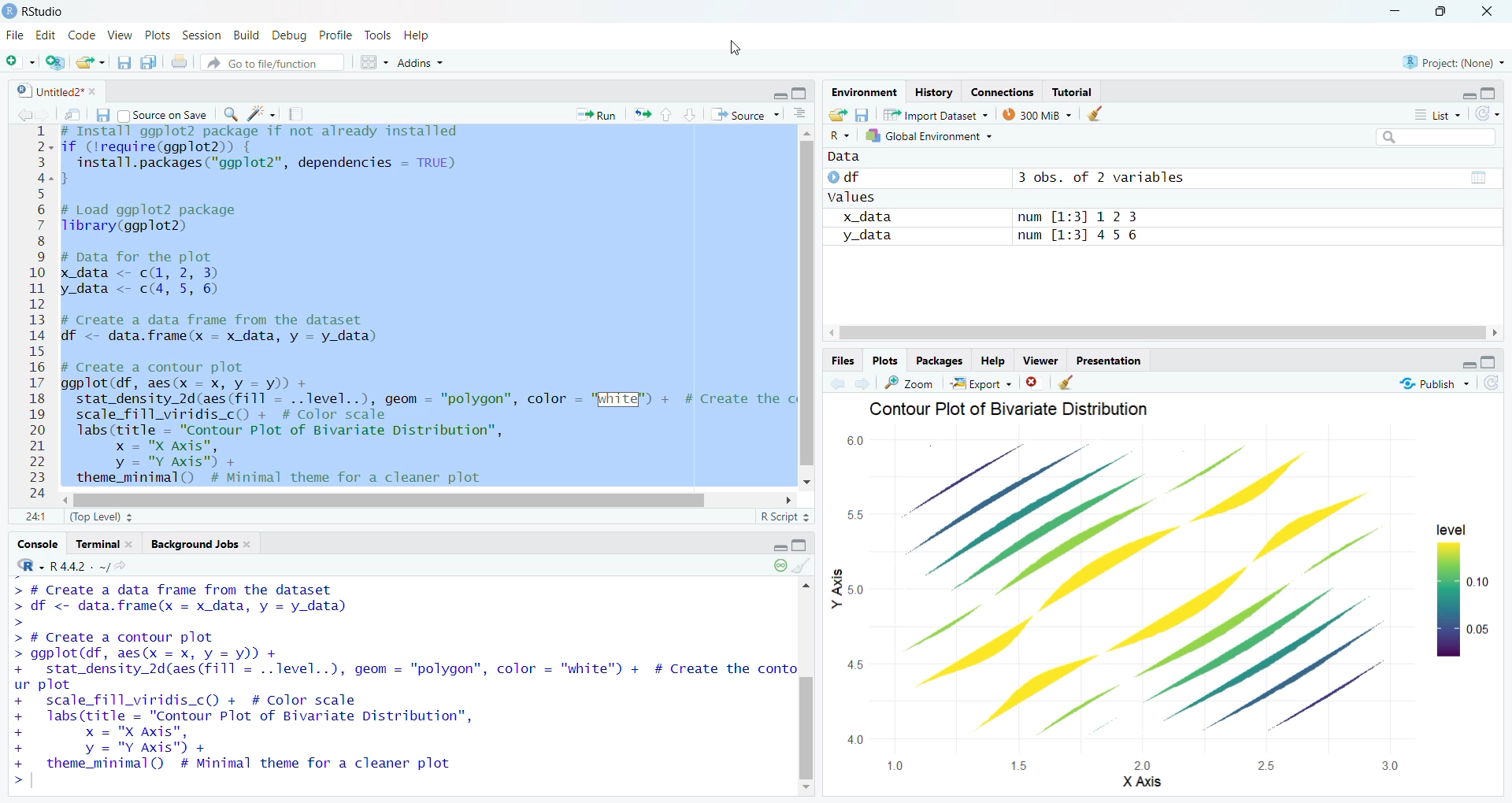  What do you see at coordinates (245, 35) in the screenshot?
I see `Build` at bounding box center [245, 35].